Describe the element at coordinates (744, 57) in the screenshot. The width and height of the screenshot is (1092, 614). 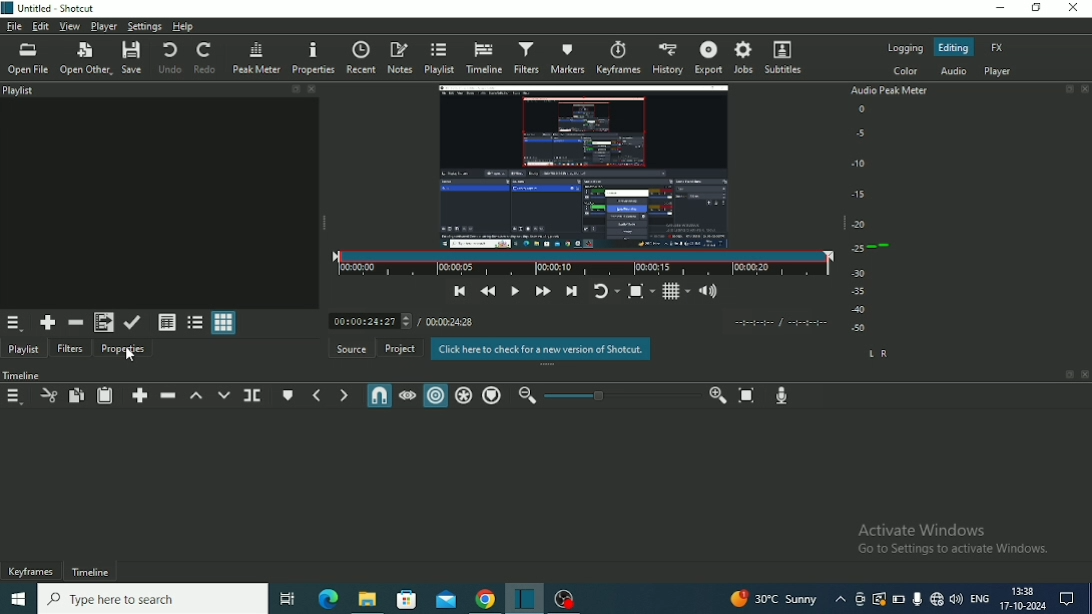
I see `Jobs` at that location.